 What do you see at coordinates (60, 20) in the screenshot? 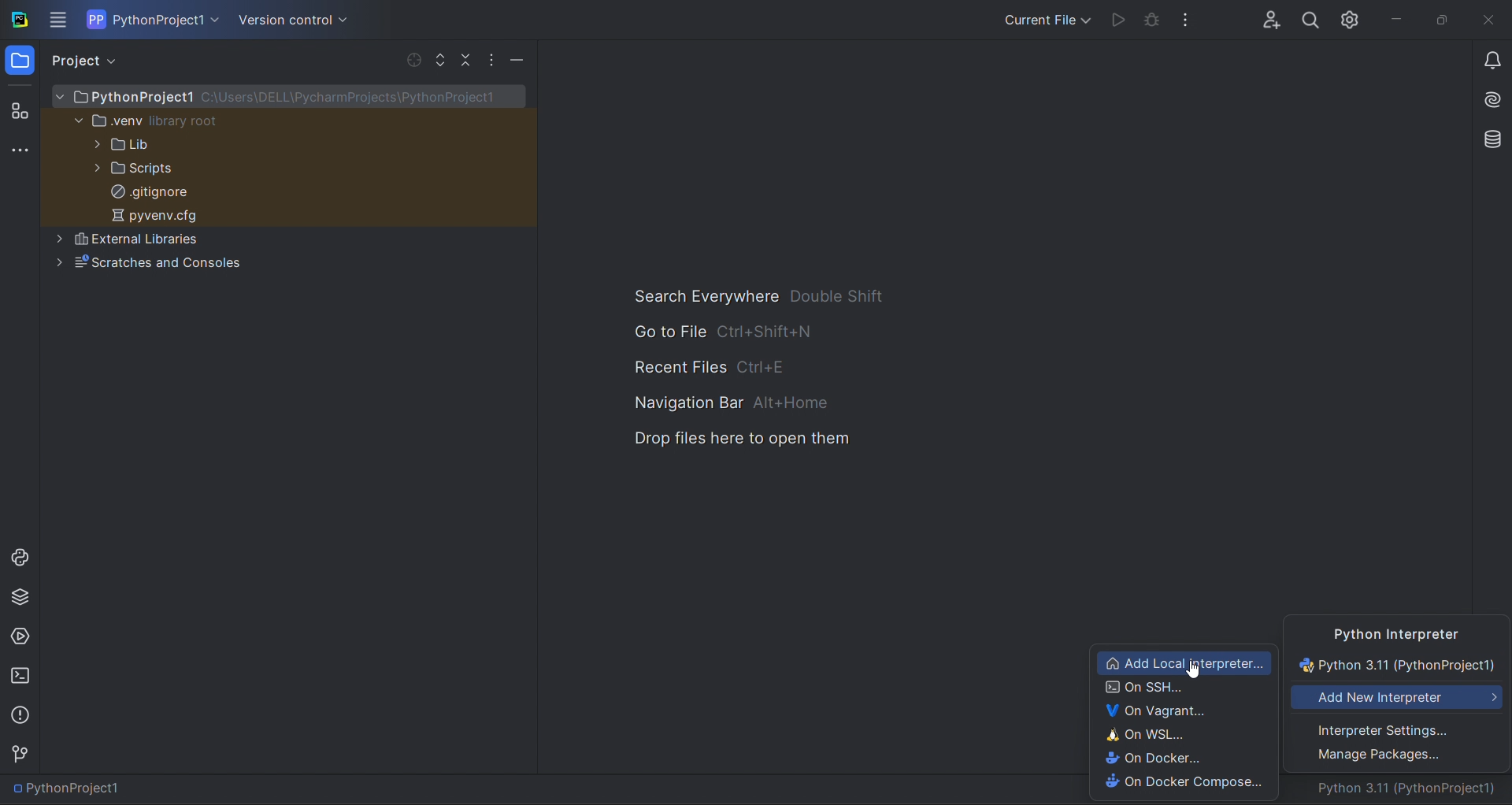
I see `main menu` at bounding box center [60, 20].